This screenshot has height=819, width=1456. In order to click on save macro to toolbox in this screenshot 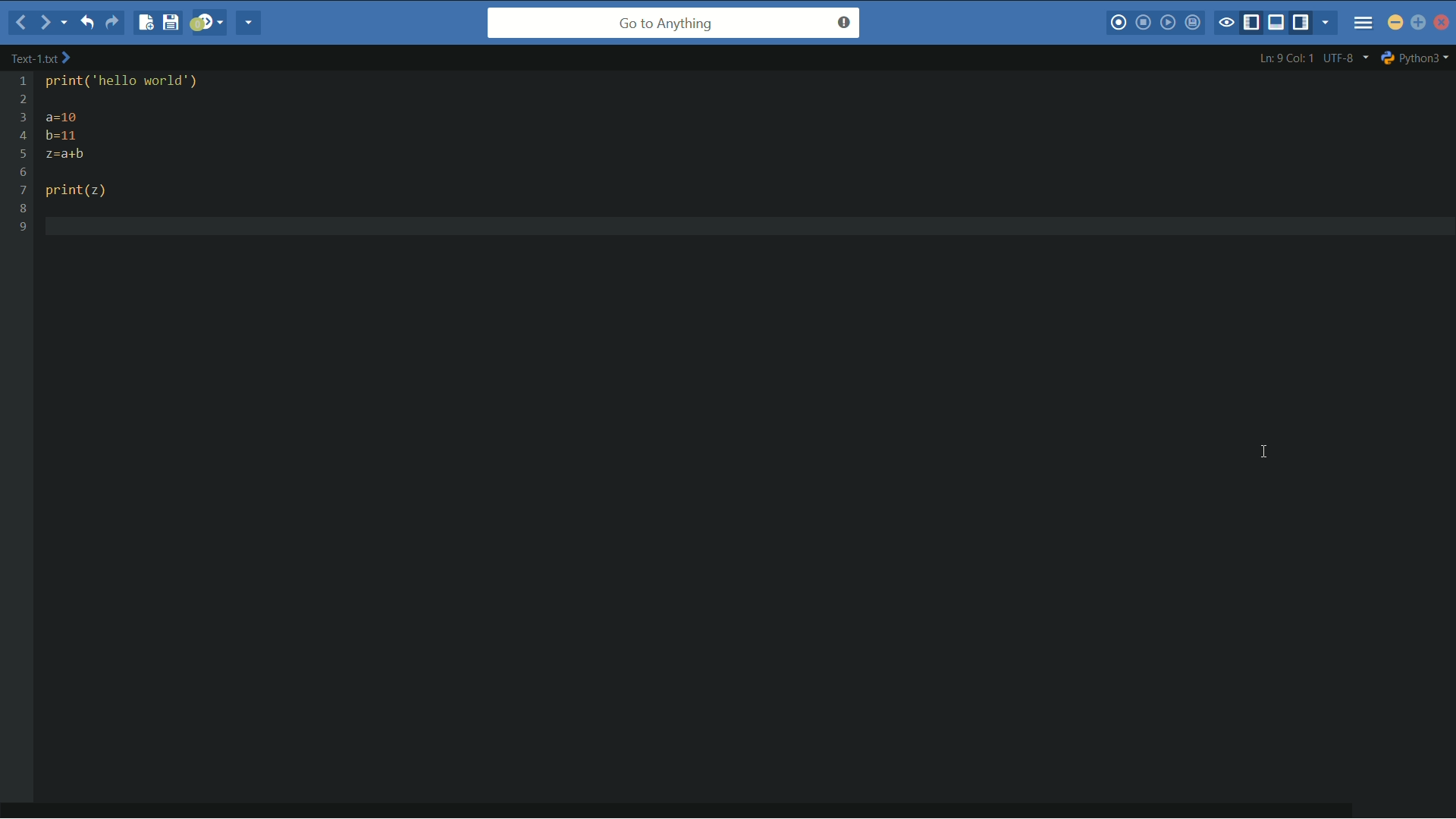, I will do `click(1194, 24)`.